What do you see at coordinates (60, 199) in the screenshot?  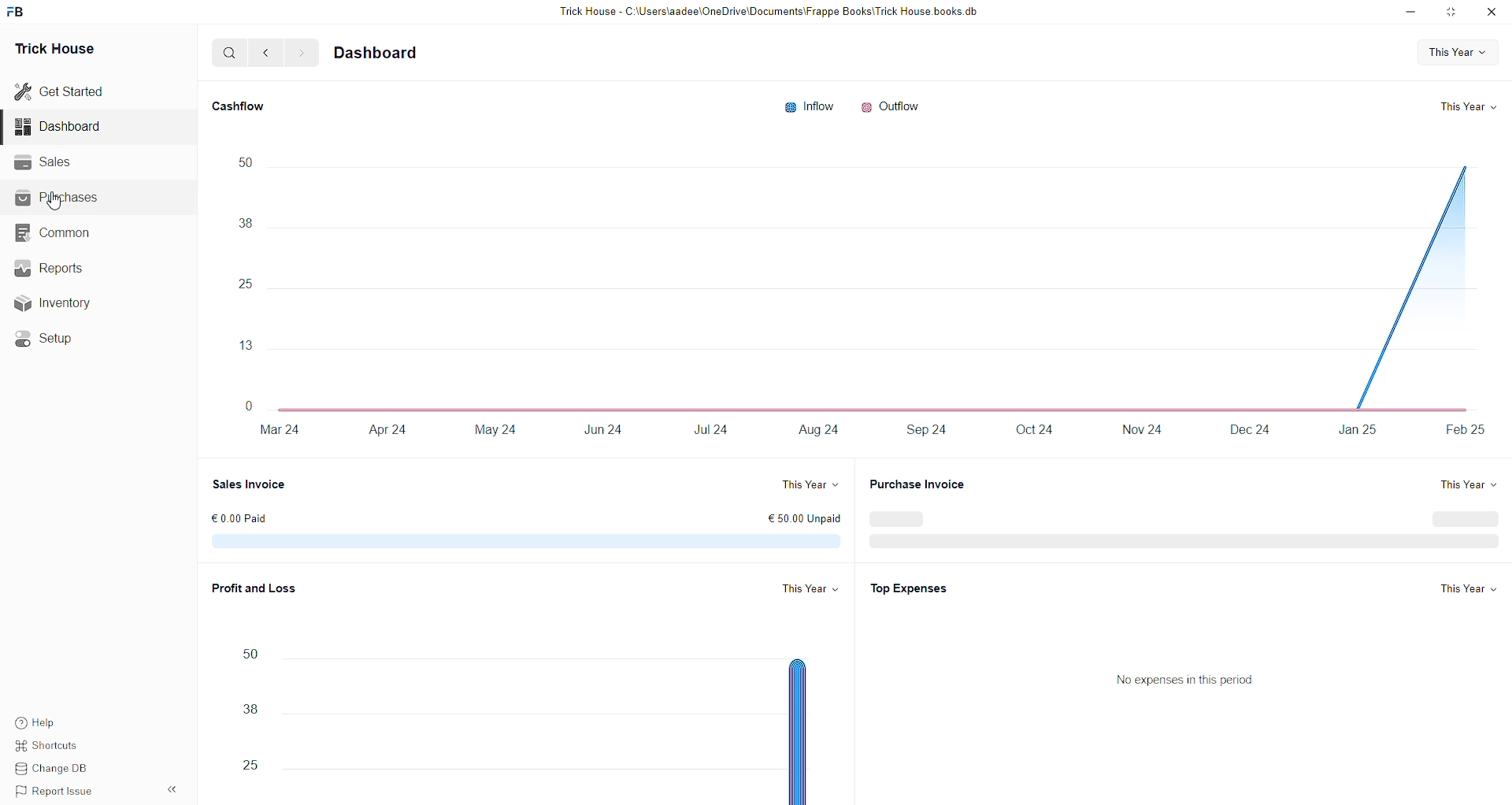 I see `Purchases` at bounding box center [60, 199].